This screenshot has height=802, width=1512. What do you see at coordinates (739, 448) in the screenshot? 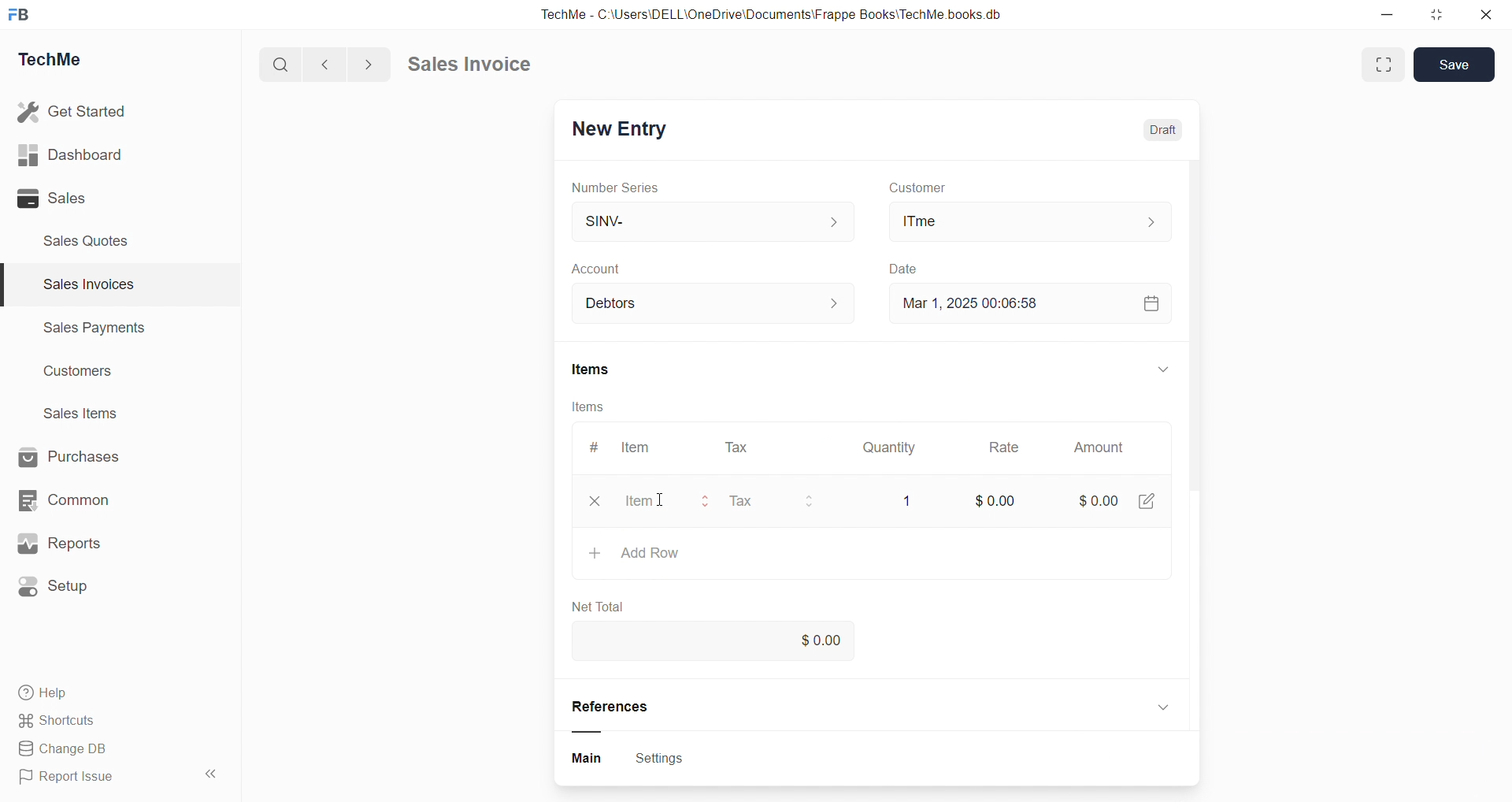
I see `Tax` at bounding box center [739, 448].